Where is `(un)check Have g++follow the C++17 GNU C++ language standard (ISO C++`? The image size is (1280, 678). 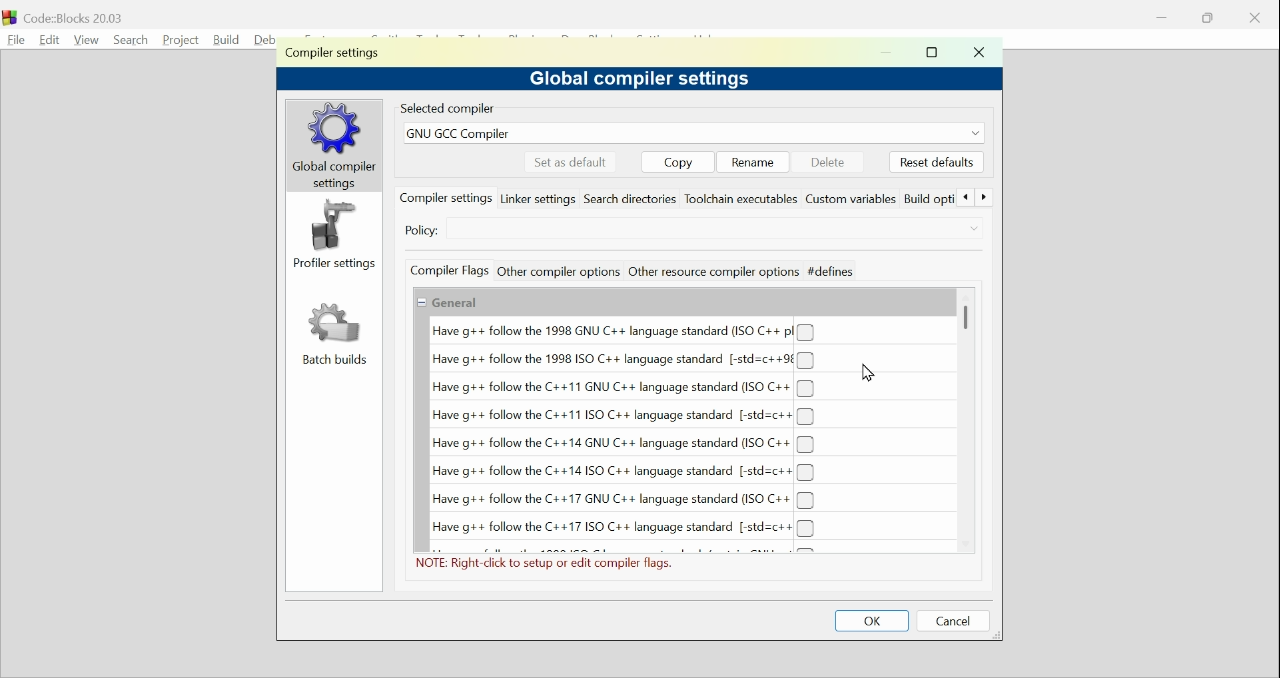
(un)check Have g++follow the C++17 GNU C++ language standard (ISO C++ is located at coordinates (621, 498).